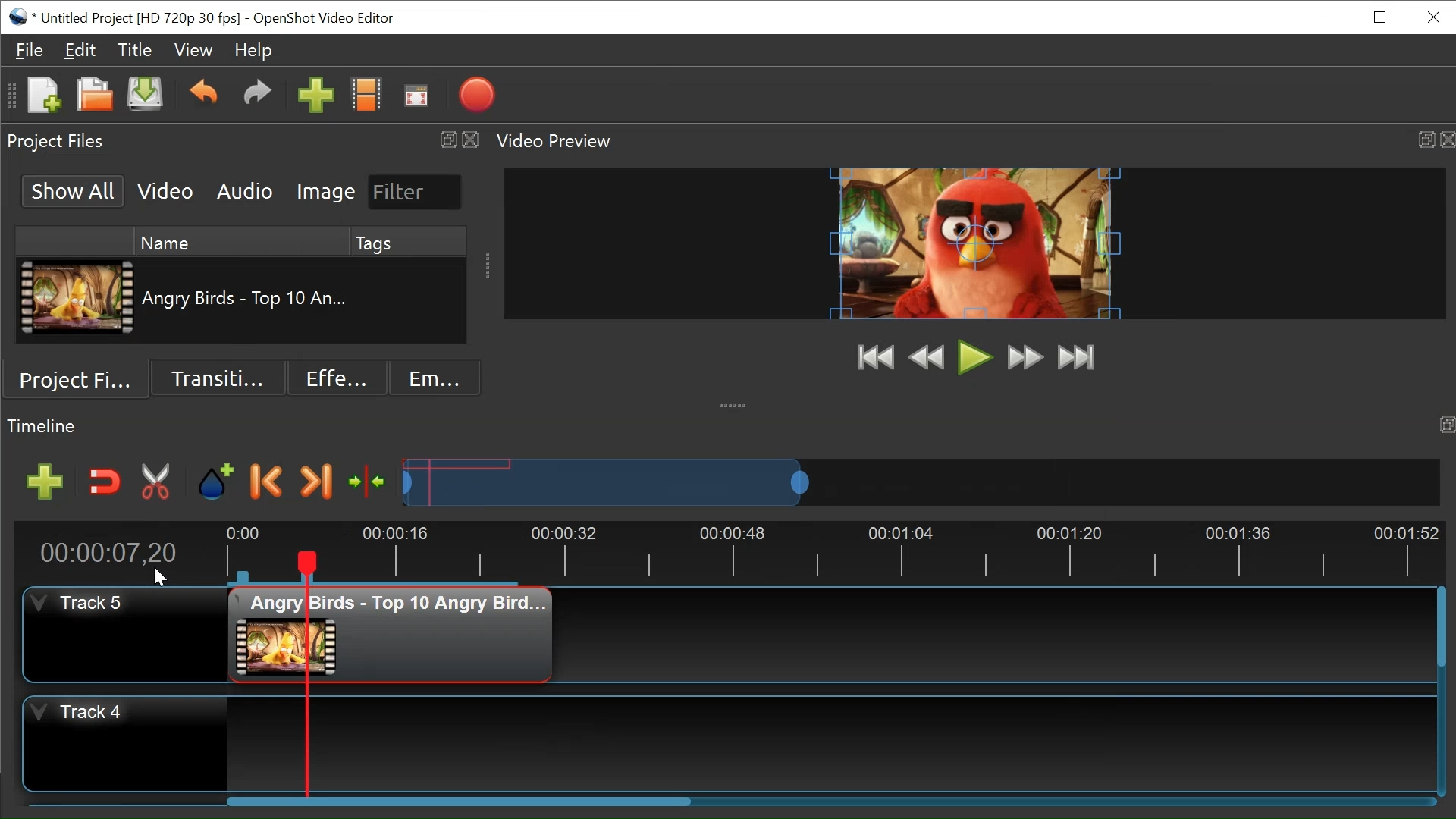  What do you see at coordinates (435, 377) in the screenshot?
I see `Emoji` at bounding box center [435, 377].